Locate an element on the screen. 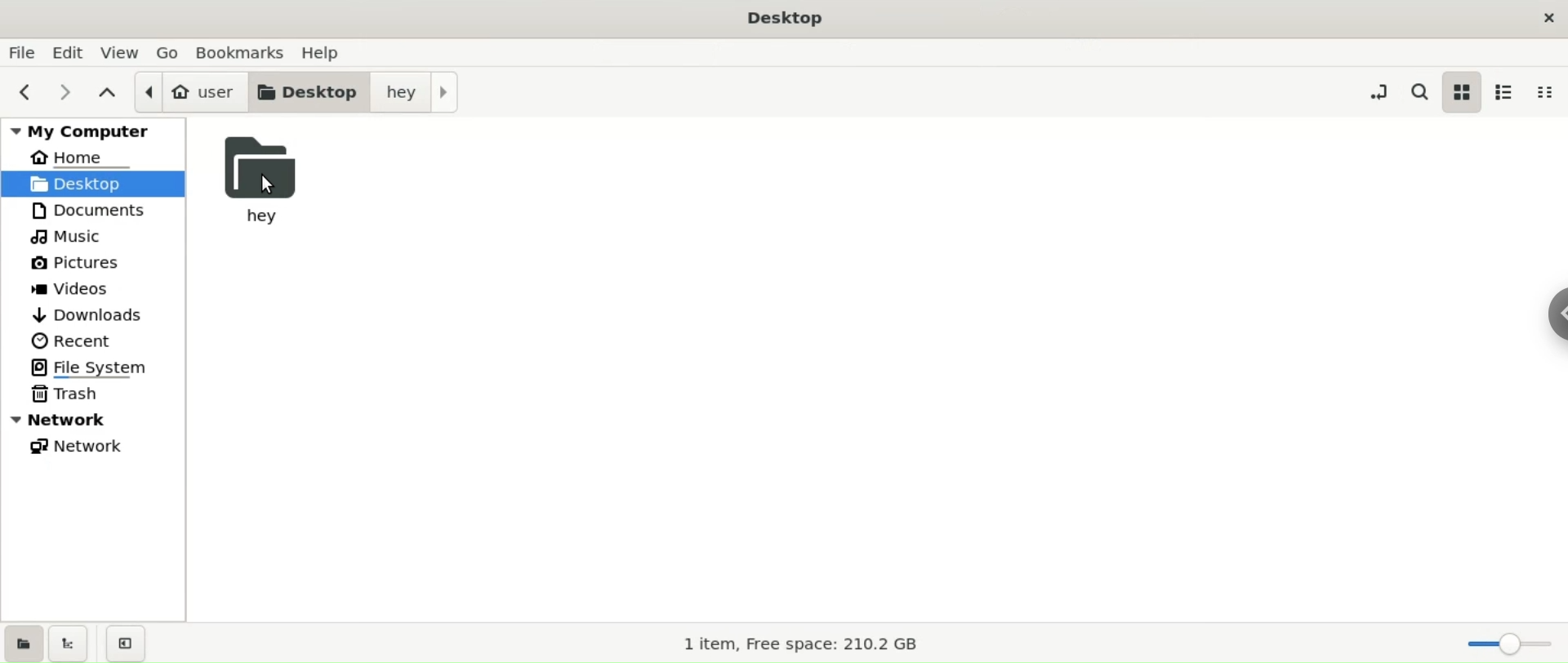 This screenshot has width=1568, height=663. desktop  is located at coordinates (310, 91).